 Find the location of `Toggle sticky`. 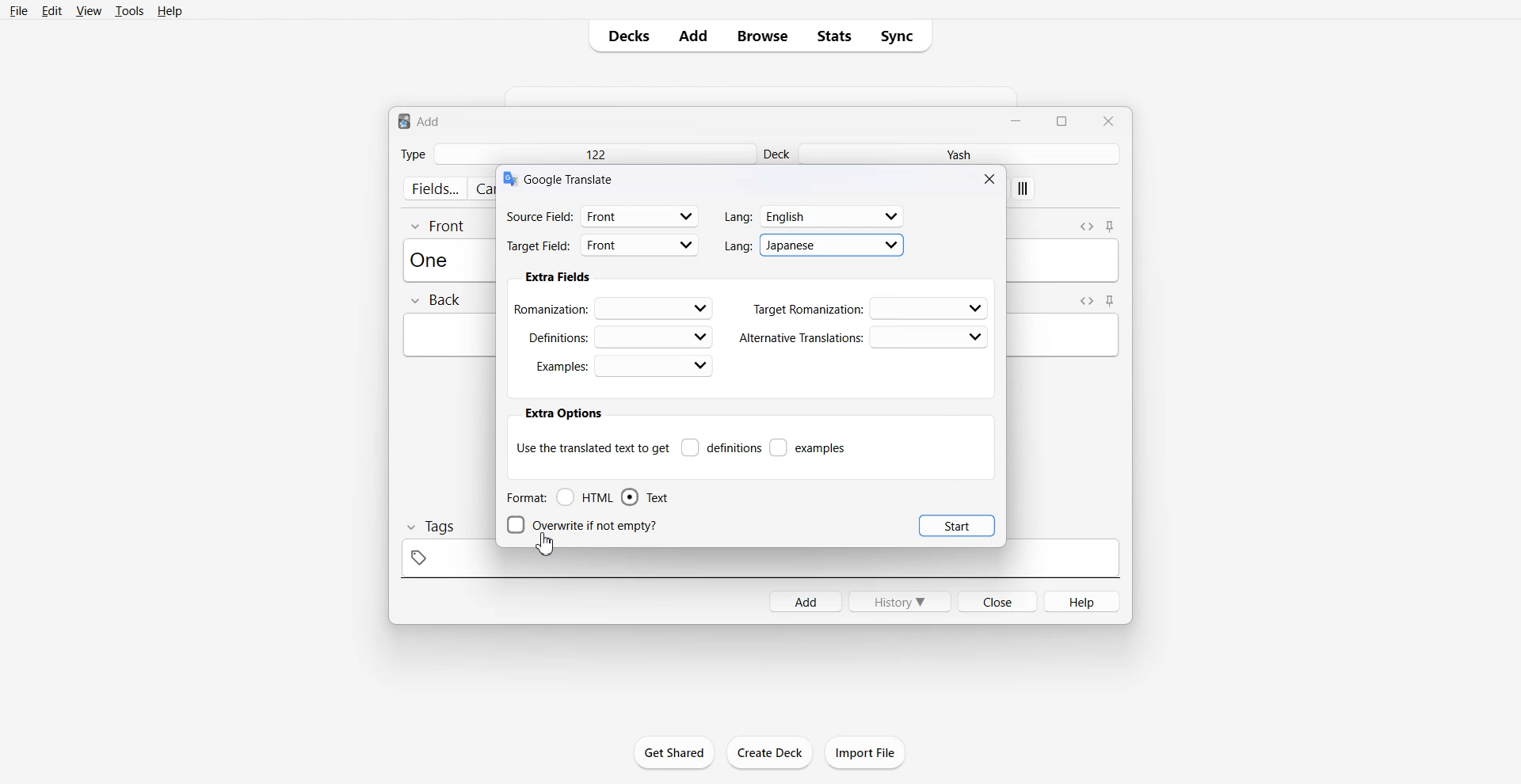

Toggle sticky is located at coordinates (1111, 227).